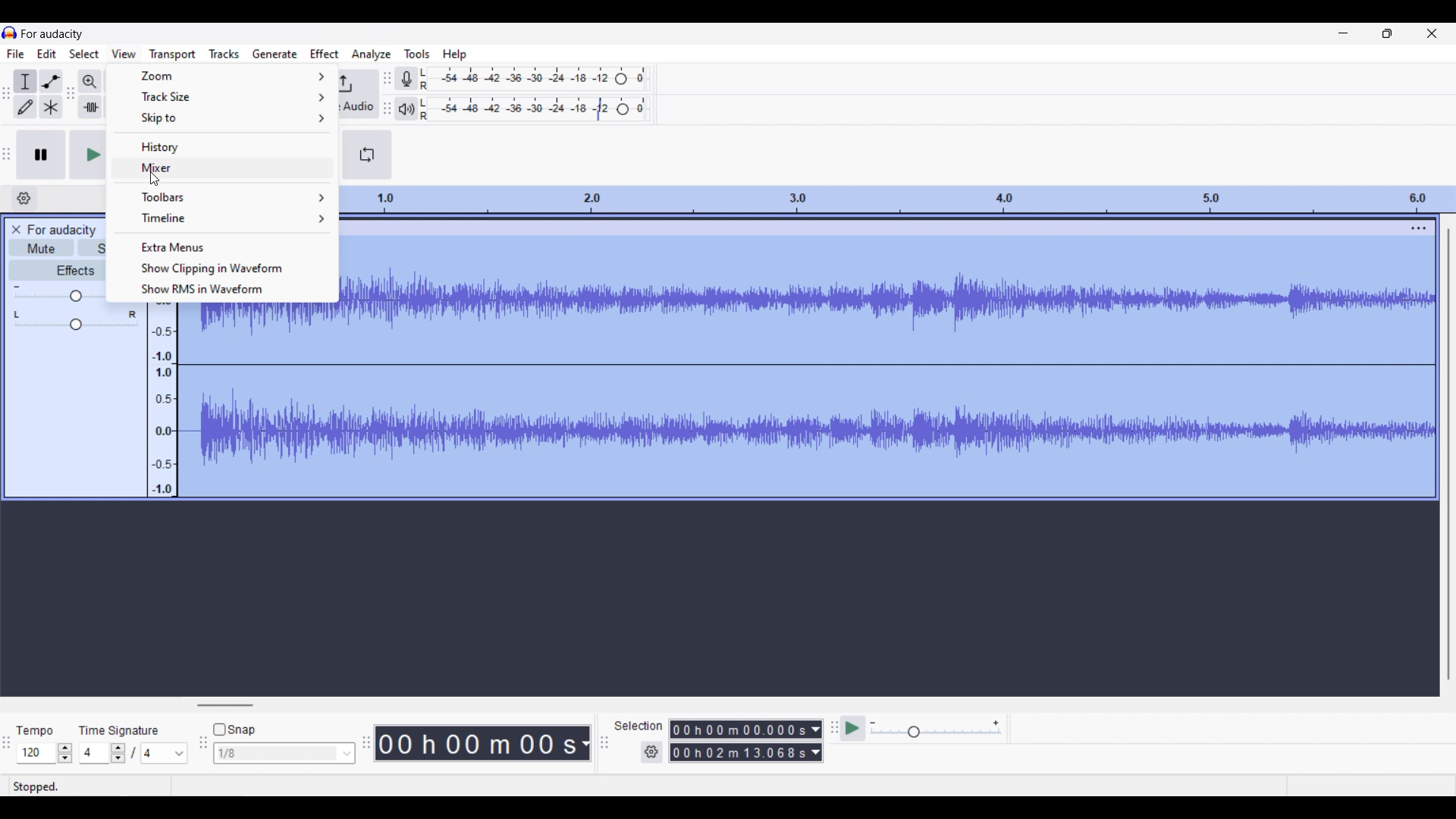  What do you see at coordinates (16, 54) in the screenshot?
I see `File menu` at bounding box center [16, 54].